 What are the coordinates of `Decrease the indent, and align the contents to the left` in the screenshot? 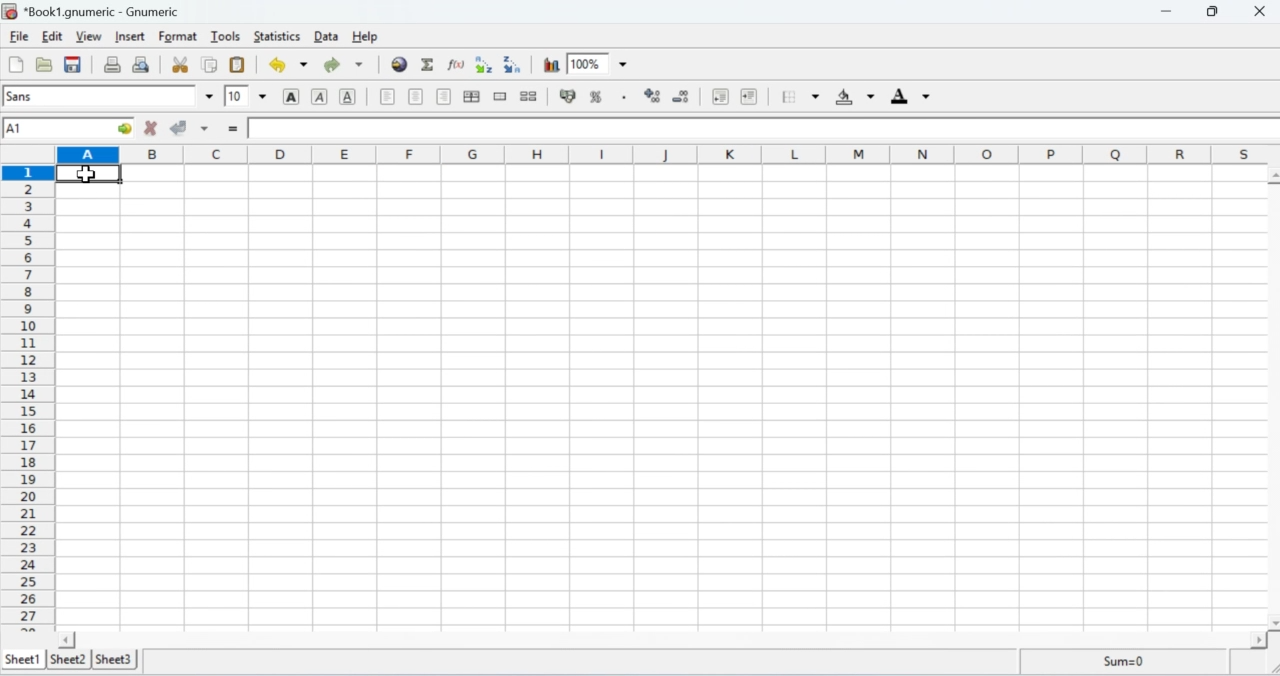 It's located at (720, 96).